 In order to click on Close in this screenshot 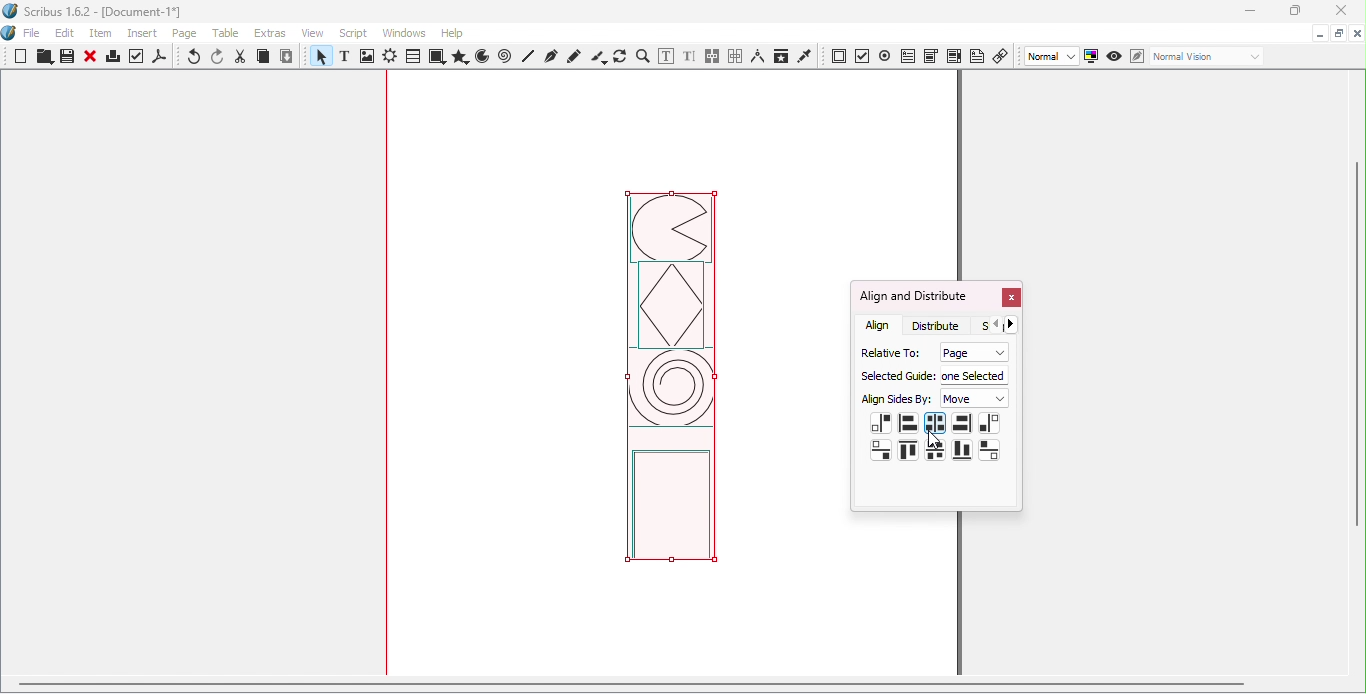, I will do `click(1337, 12)`.